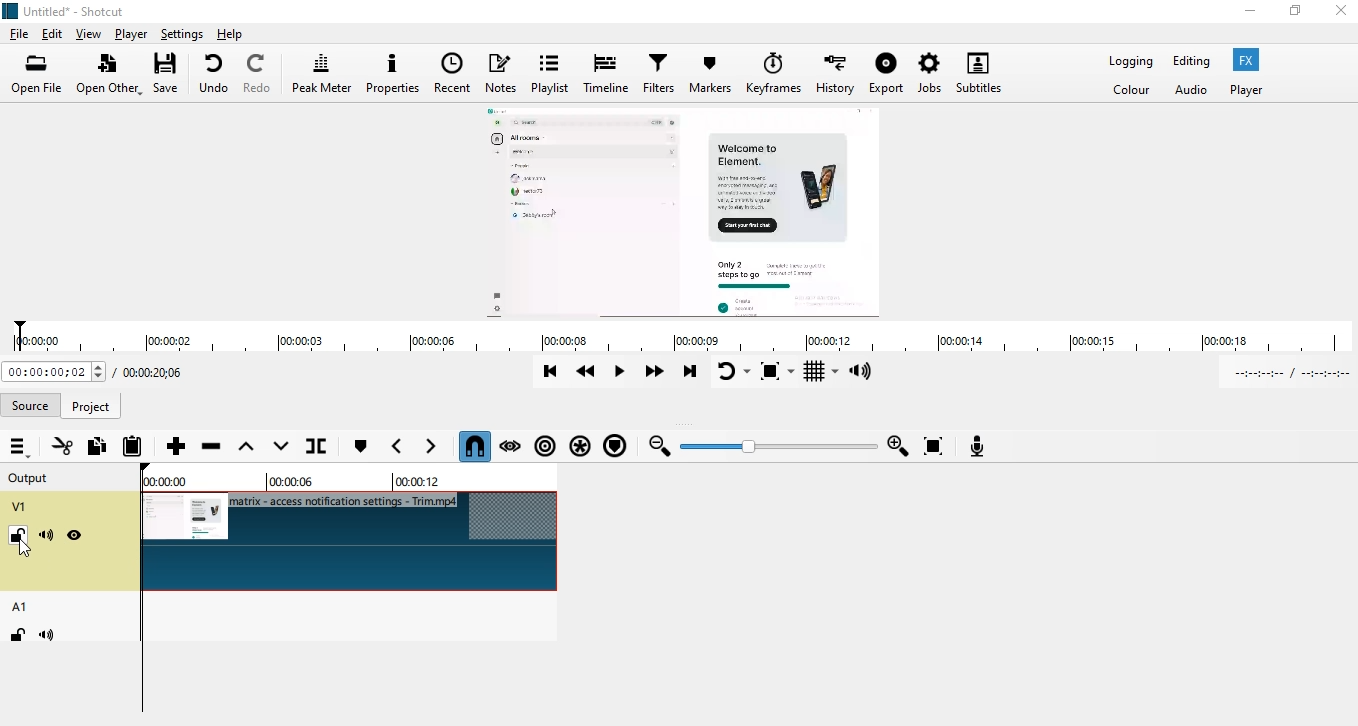 The image size is (1358, 726). What do you see at coordinates (1252, 8) in the screenshot?
I see `minimise` at bounding box center [1252, 8].